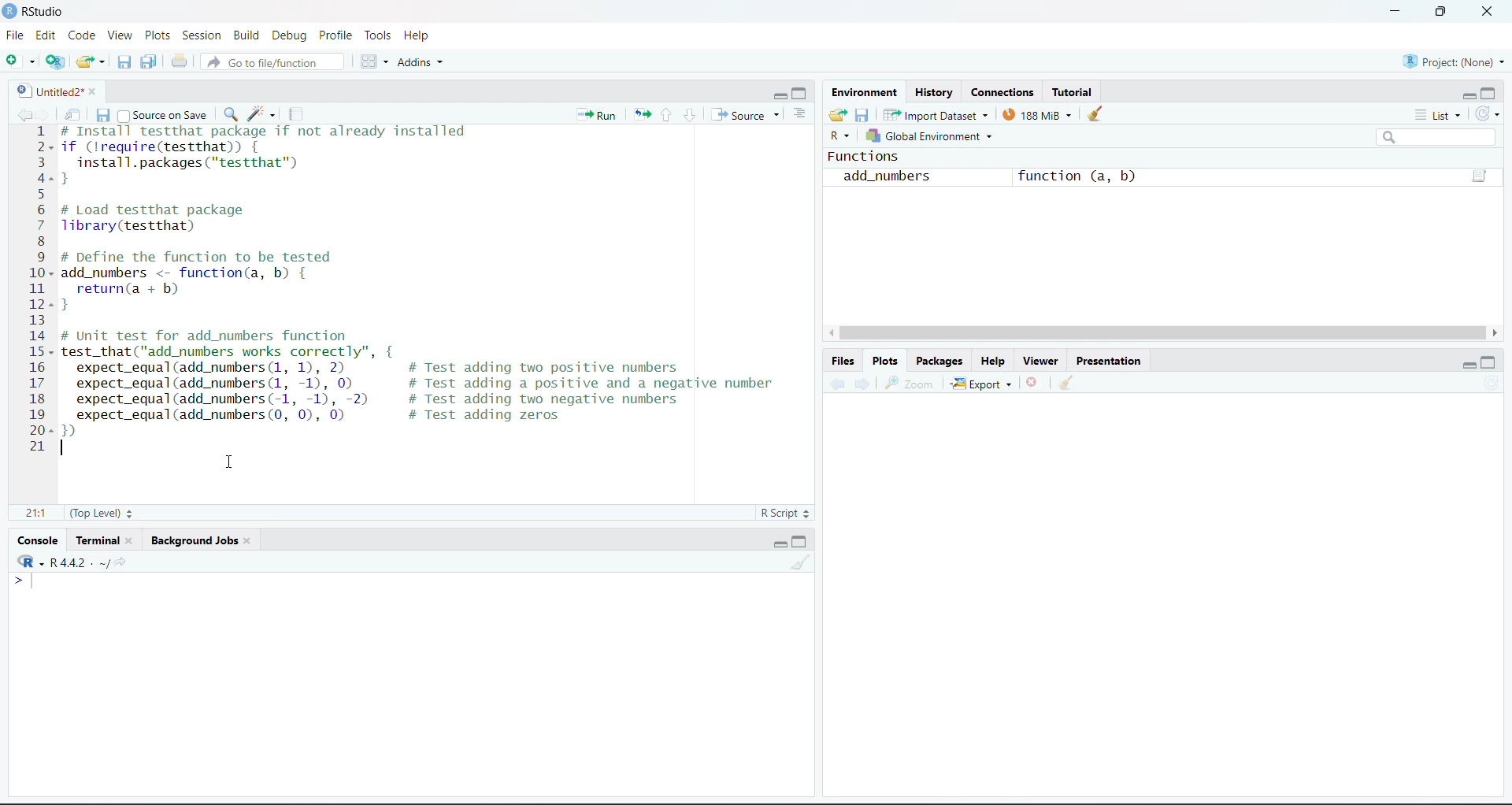 The height and width of the screenshot is (805, 1512). What do you see at coordinates (374, 62) in the screenshot?
I see `workspace panes` at bounding box center [374, 62].